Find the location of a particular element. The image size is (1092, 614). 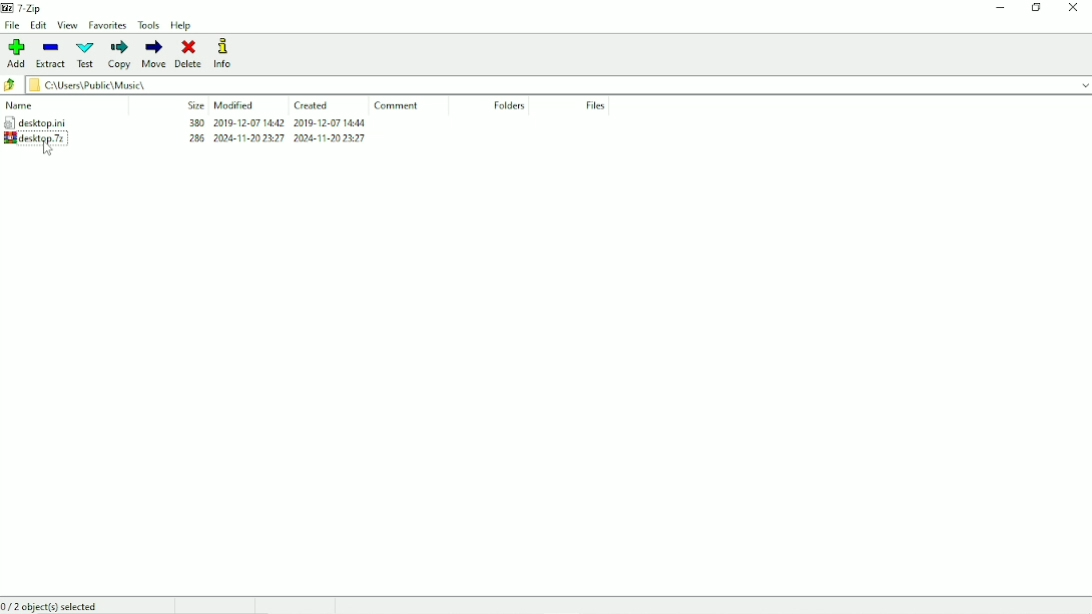

Size is located at coordinates (195, 105).